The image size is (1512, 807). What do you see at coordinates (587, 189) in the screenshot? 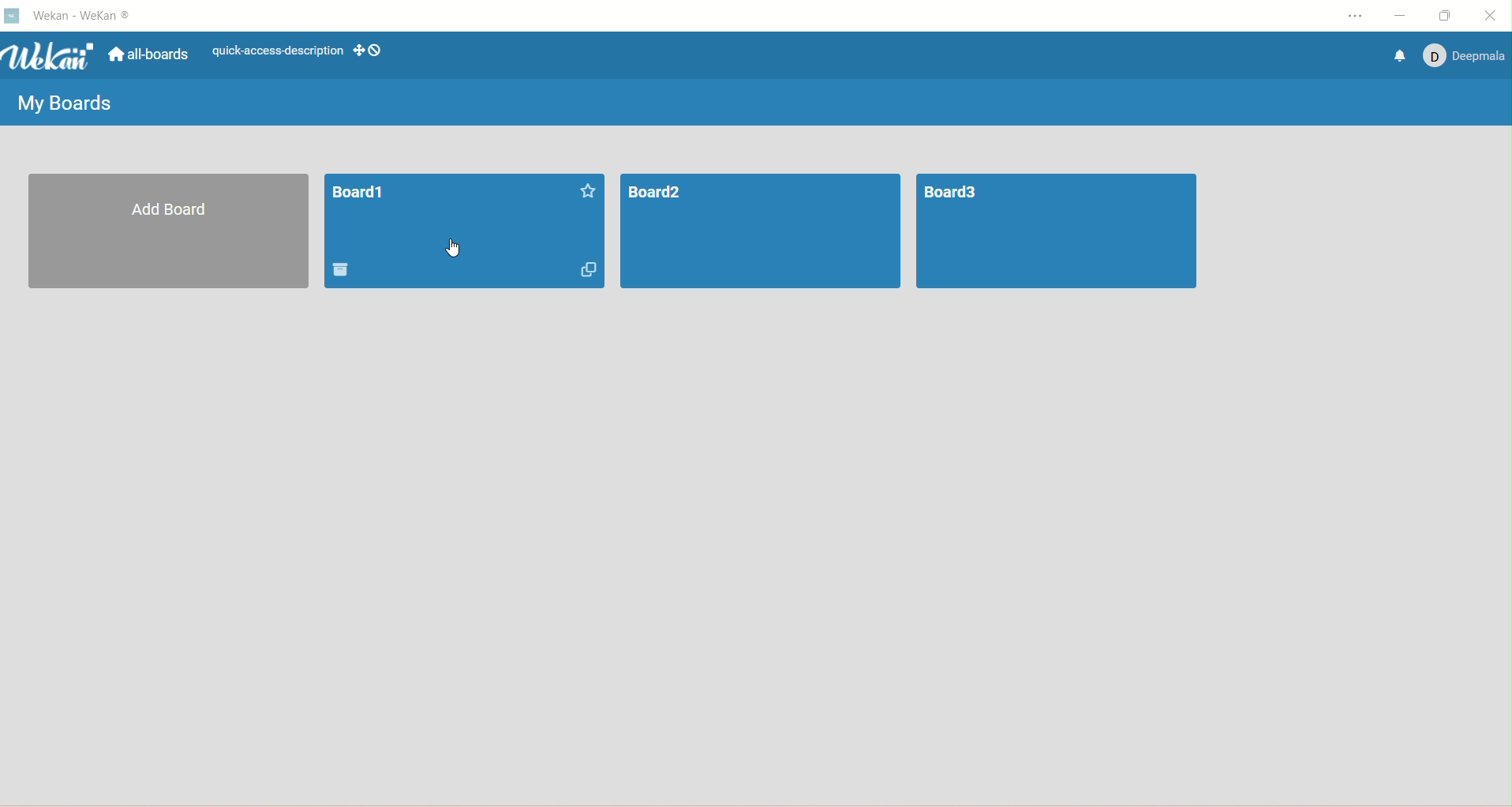
I see `favorite` at bounding box center [587, 189].